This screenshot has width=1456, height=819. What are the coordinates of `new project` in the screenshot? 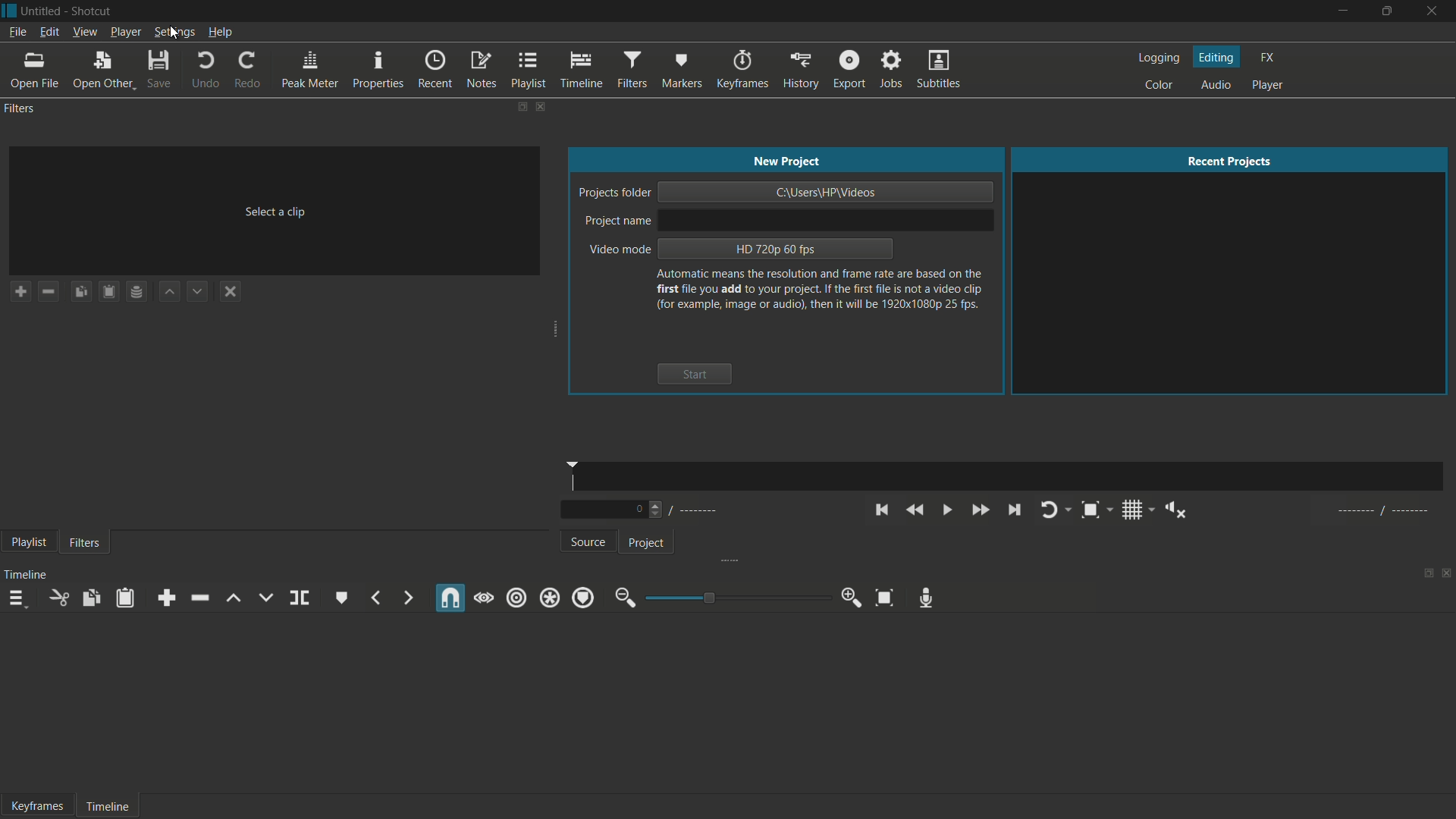 It's located at (786, 161).